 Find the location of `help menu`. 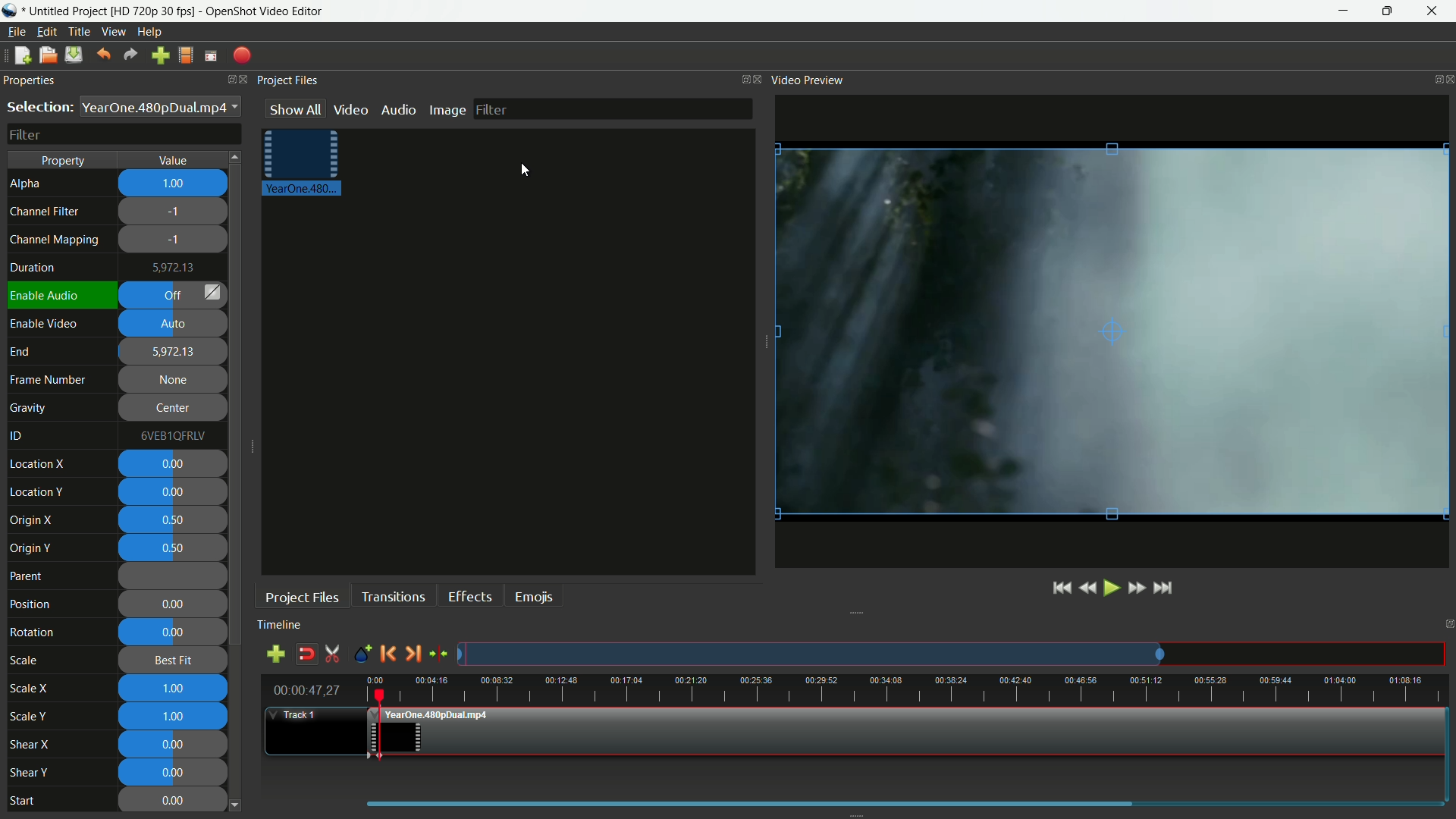

help menu is located at coordinates (151, 31).